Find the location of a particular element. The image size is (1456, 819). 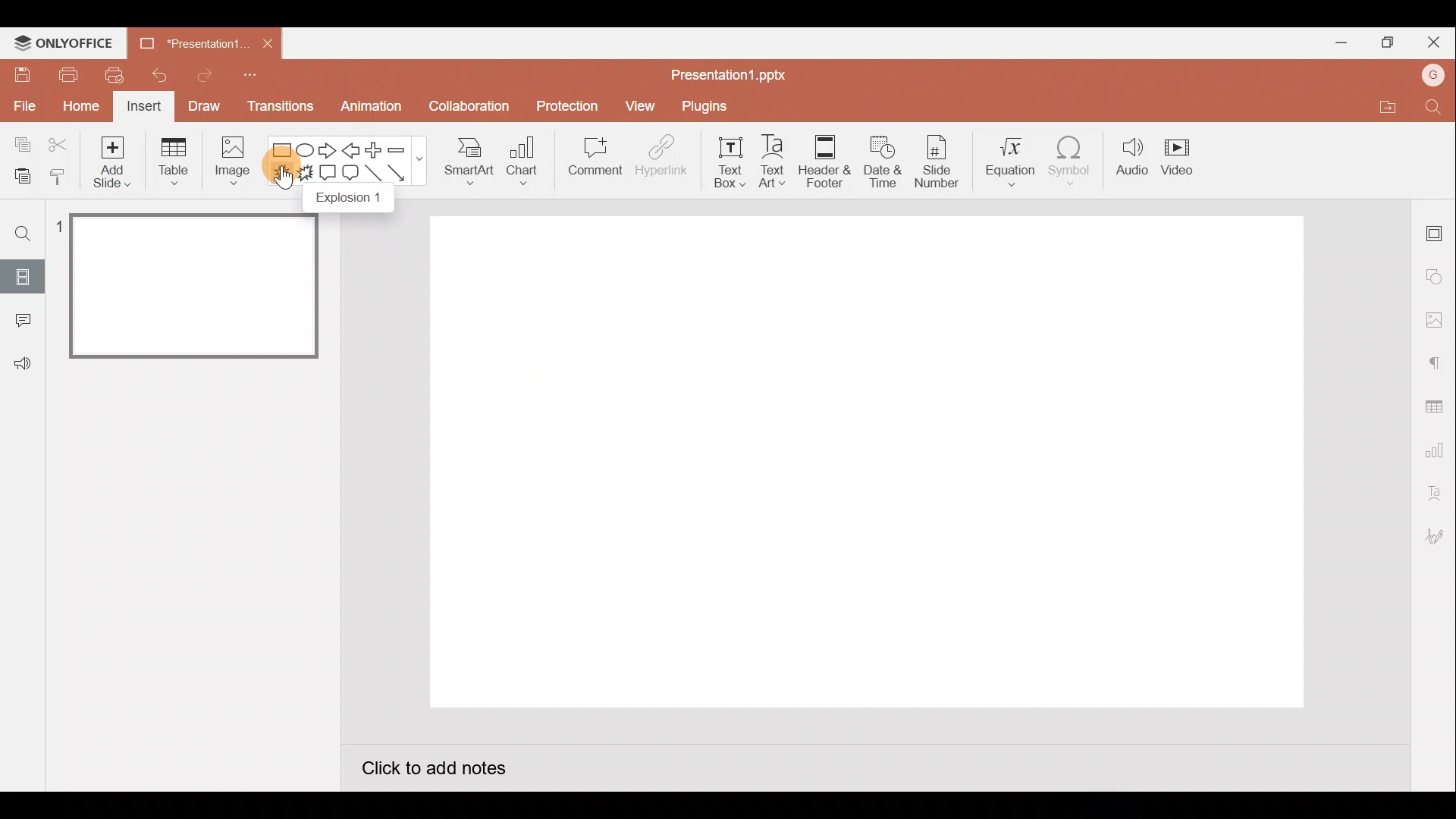

Find is located at coordinates (21, 234).